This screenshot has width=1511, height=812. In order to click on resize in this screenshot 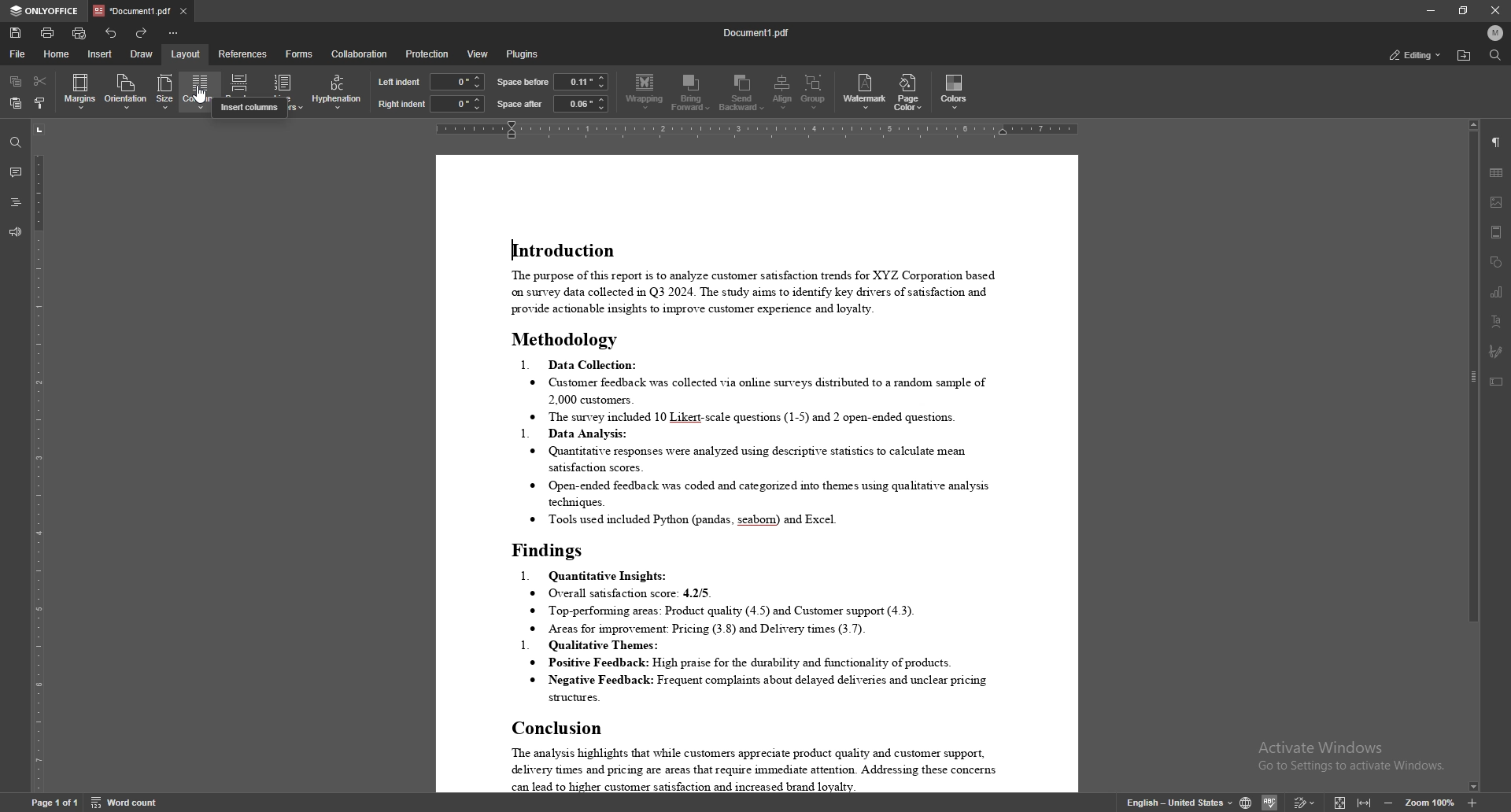, I will do `click(1464, 10)`.